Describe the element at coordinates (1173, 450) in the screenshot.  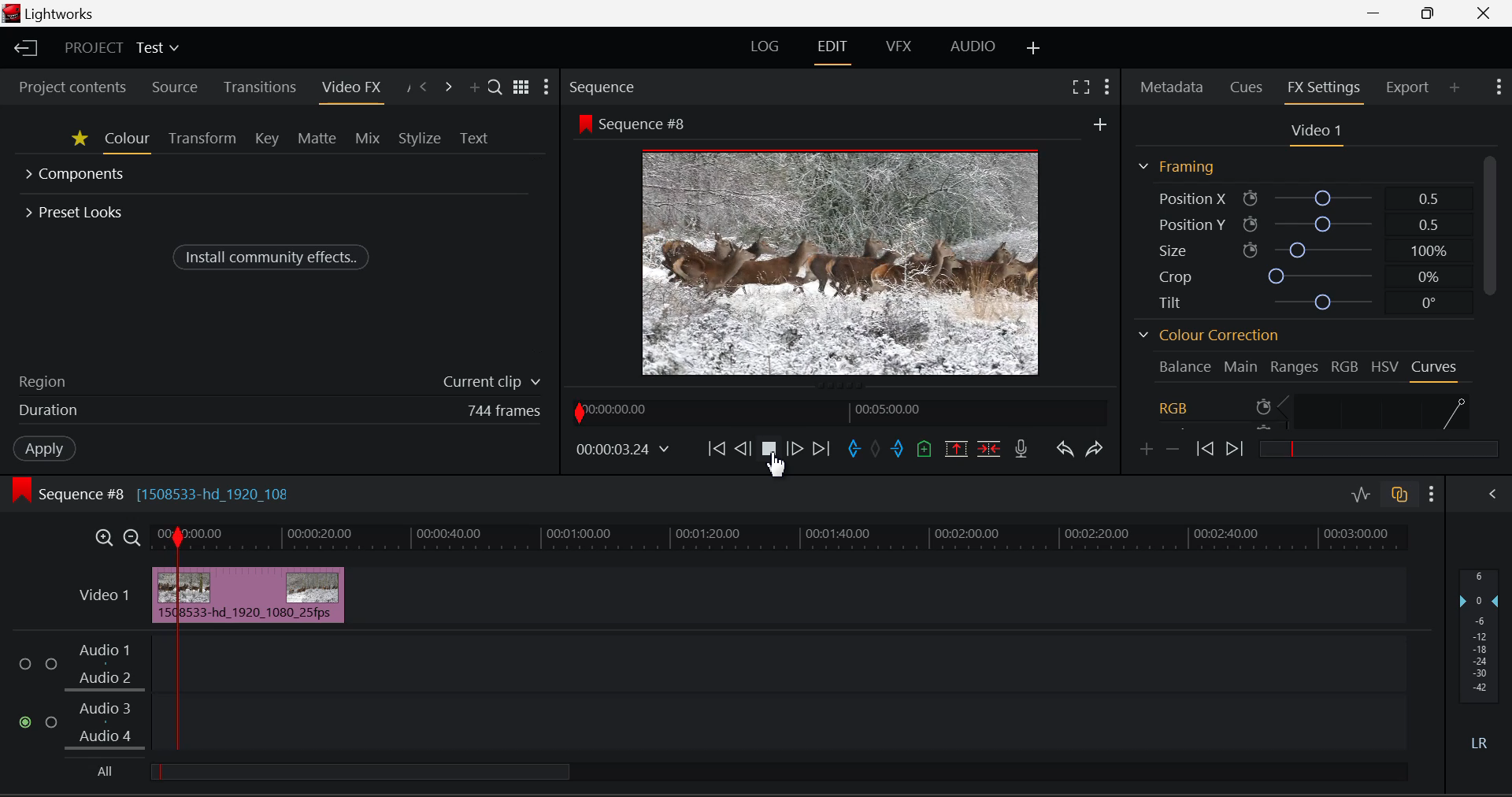
I see `Remove keyframe` at that location.